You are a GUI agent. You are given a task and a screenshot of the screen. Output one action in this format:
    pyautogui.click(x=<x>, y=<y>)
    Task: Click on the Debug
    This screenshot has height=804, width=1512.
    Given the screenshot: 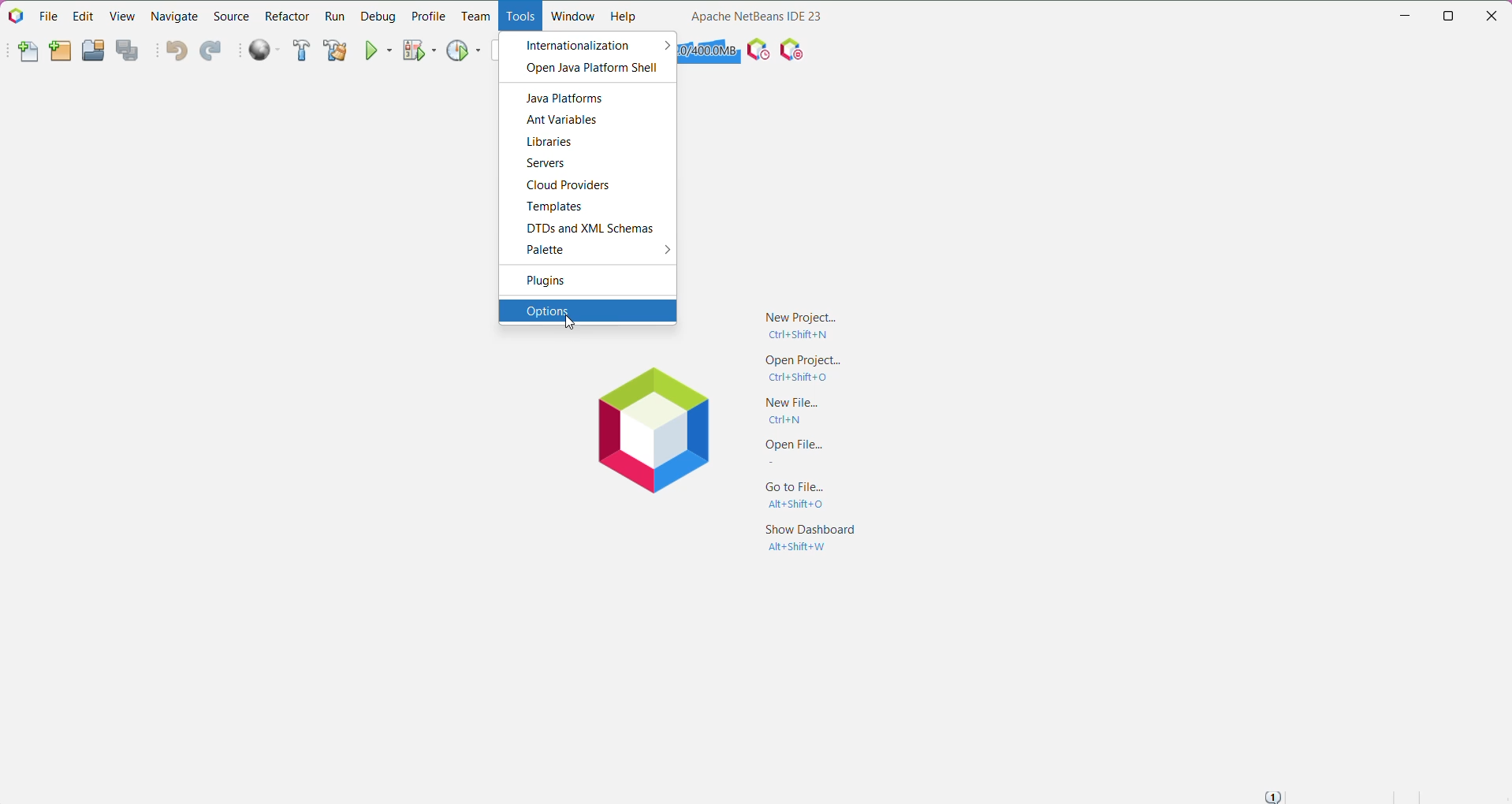 What is the action you would take?
    pyautogui.click(x=377, y=16)
    